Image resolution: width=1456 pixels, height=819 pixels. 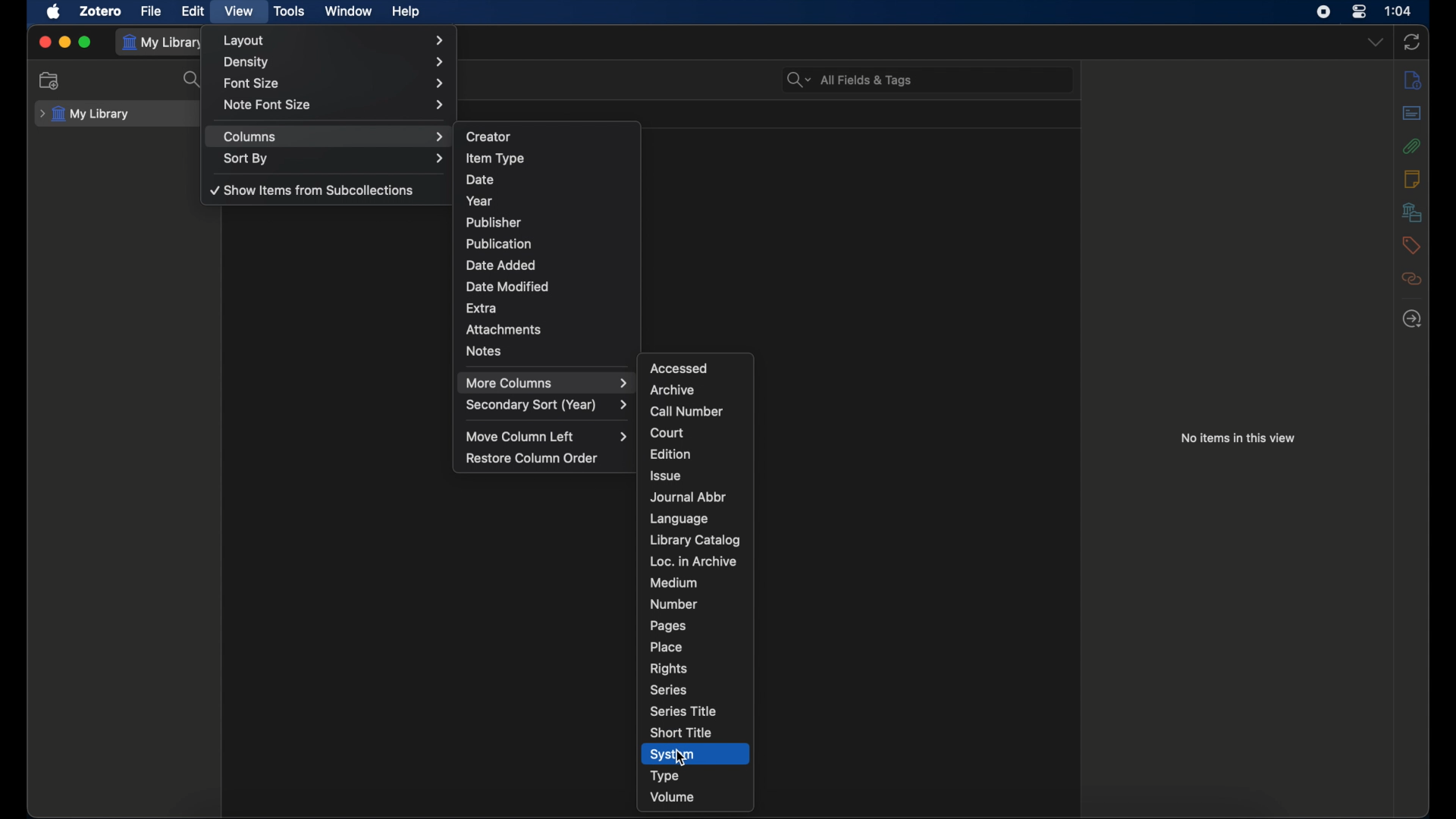 I want to click on abstract, so click(x=1414, y=114).